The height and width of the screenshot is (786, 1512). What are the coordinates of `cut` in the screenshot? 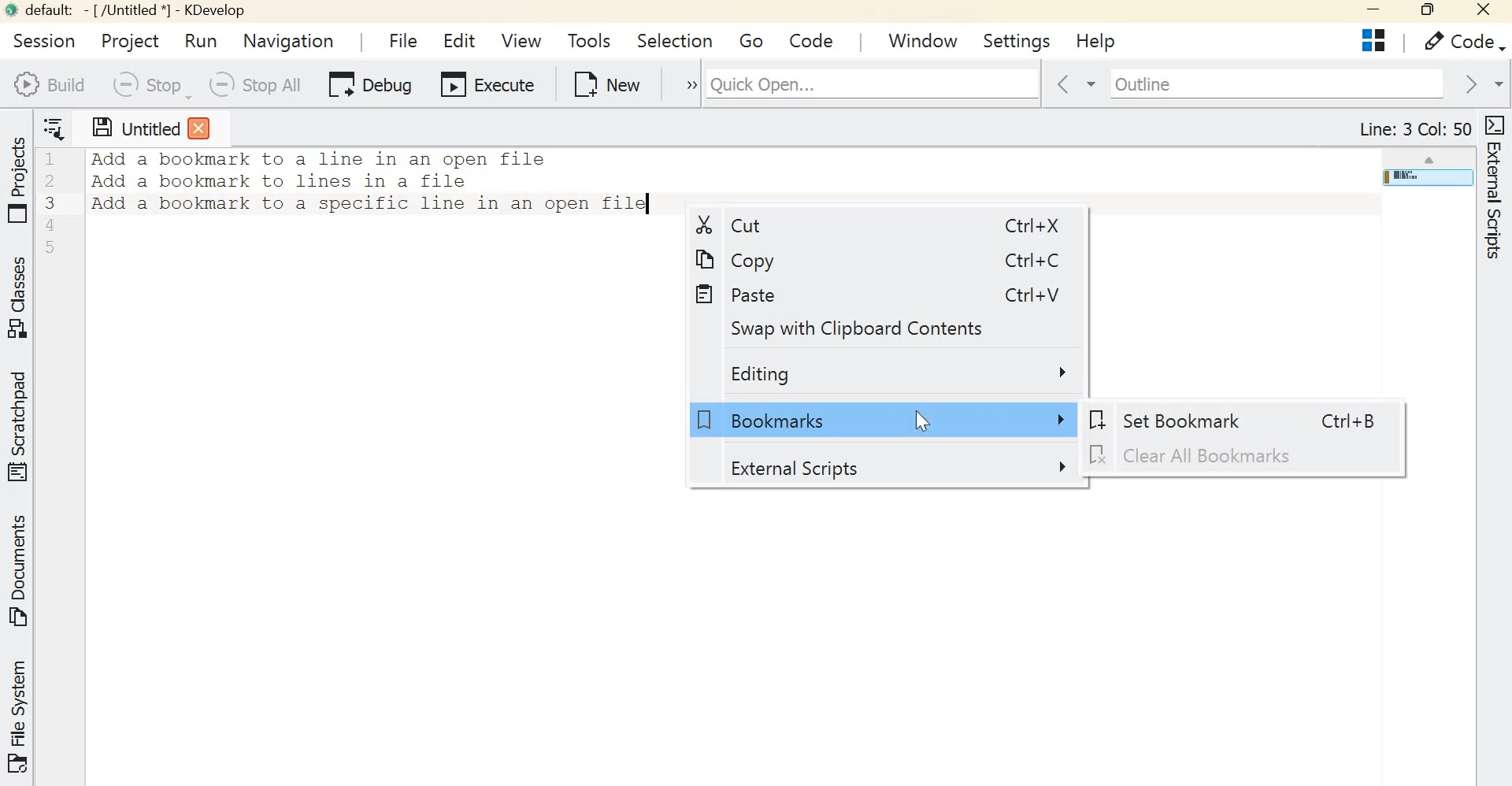 It's located at (727, 226).